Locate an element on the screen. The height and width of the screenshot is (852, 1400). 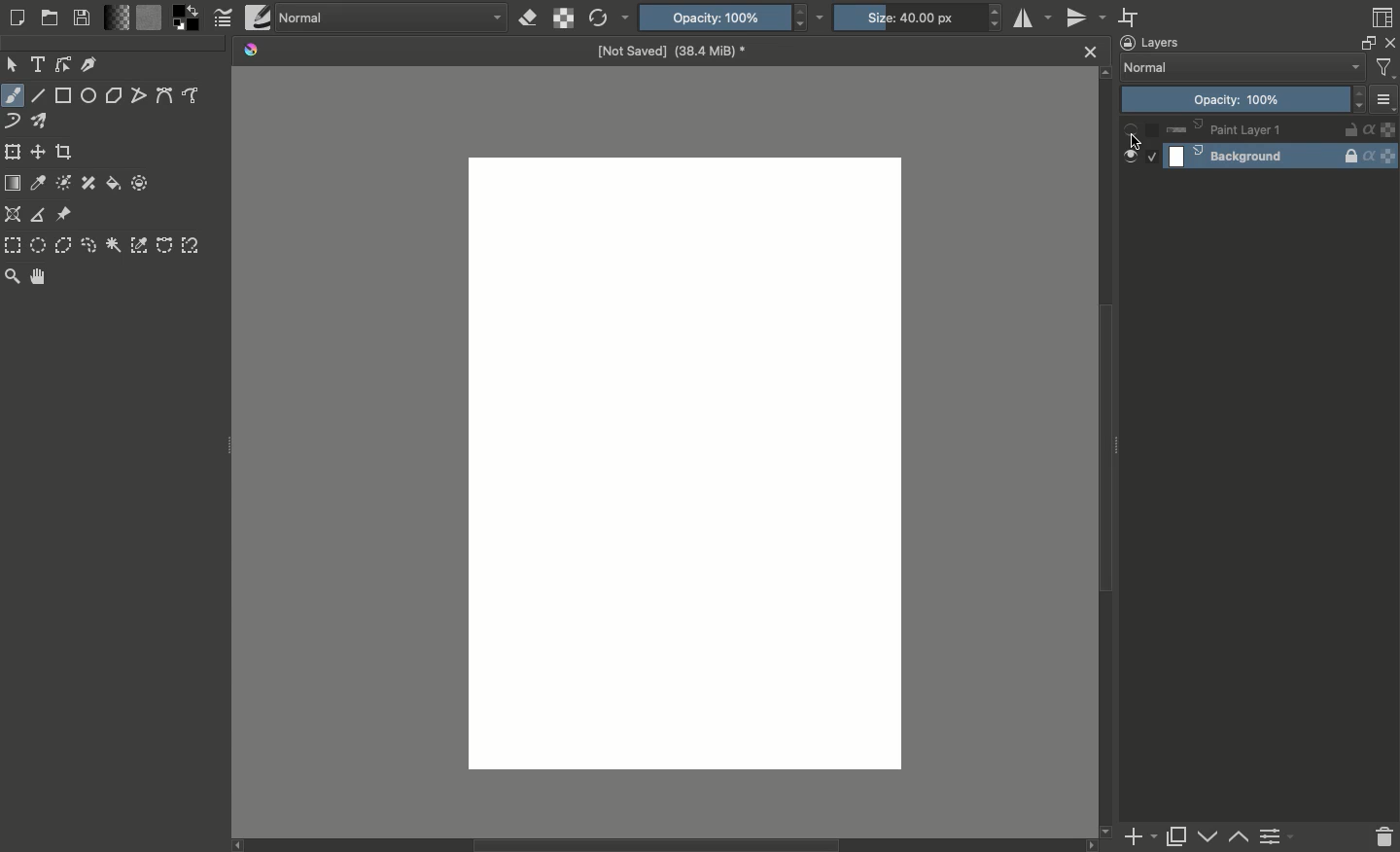
Calligraphy is located at coordinates (93, 63).